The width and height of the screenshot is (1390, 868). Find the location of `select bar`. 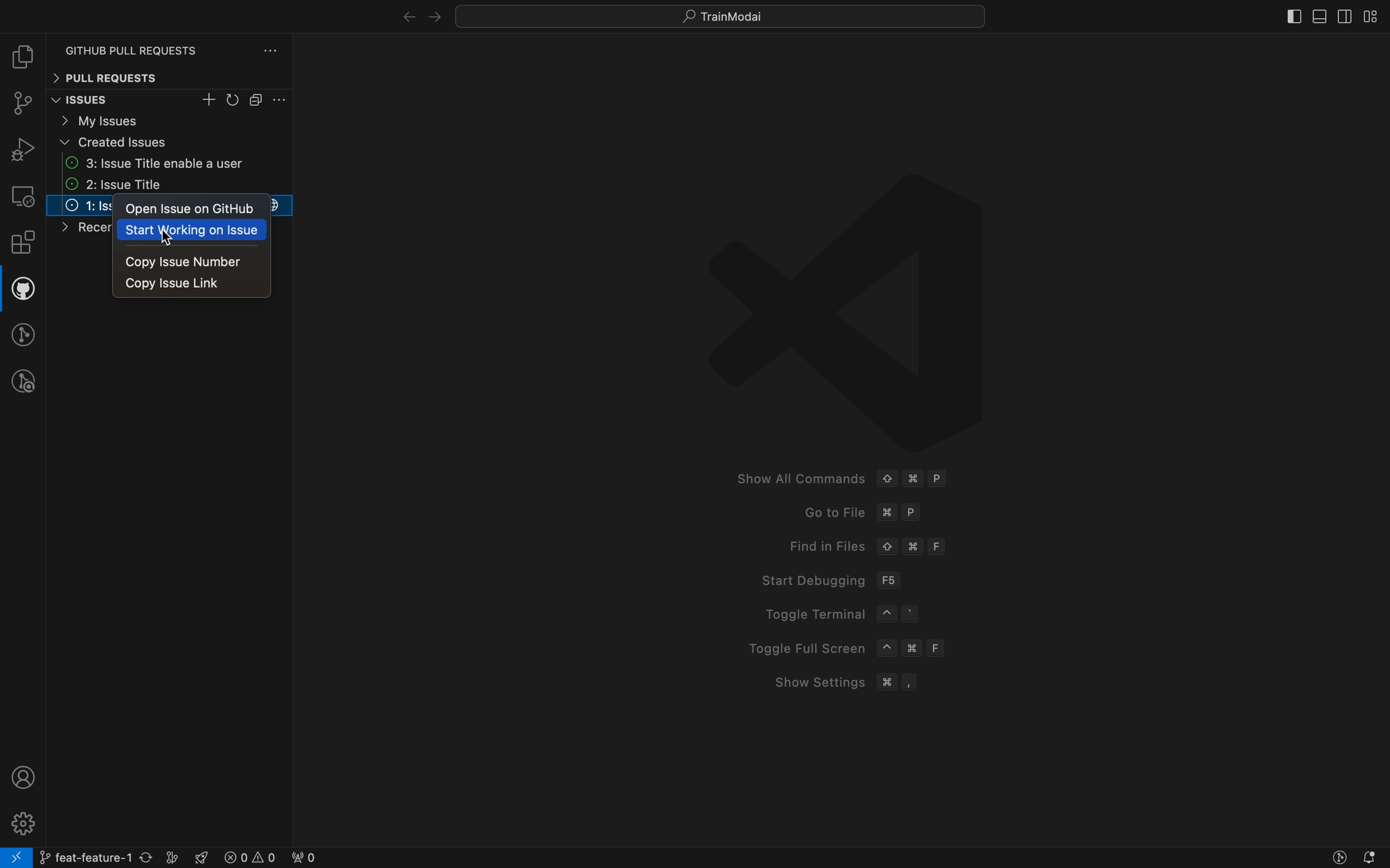

select bar is located at coordinates (257, 100).